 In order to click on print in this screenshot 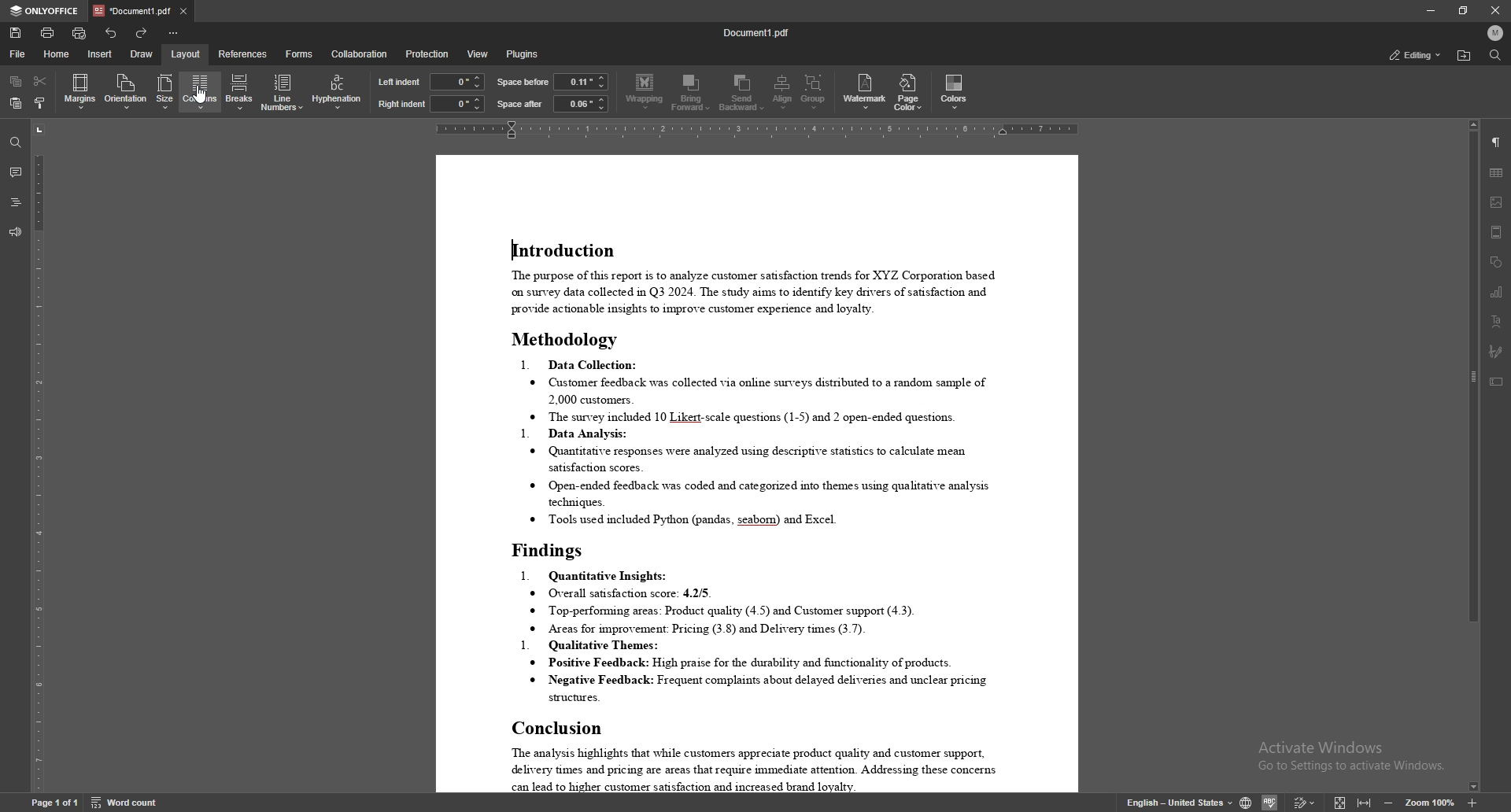, I will do `click(47, 33)`.